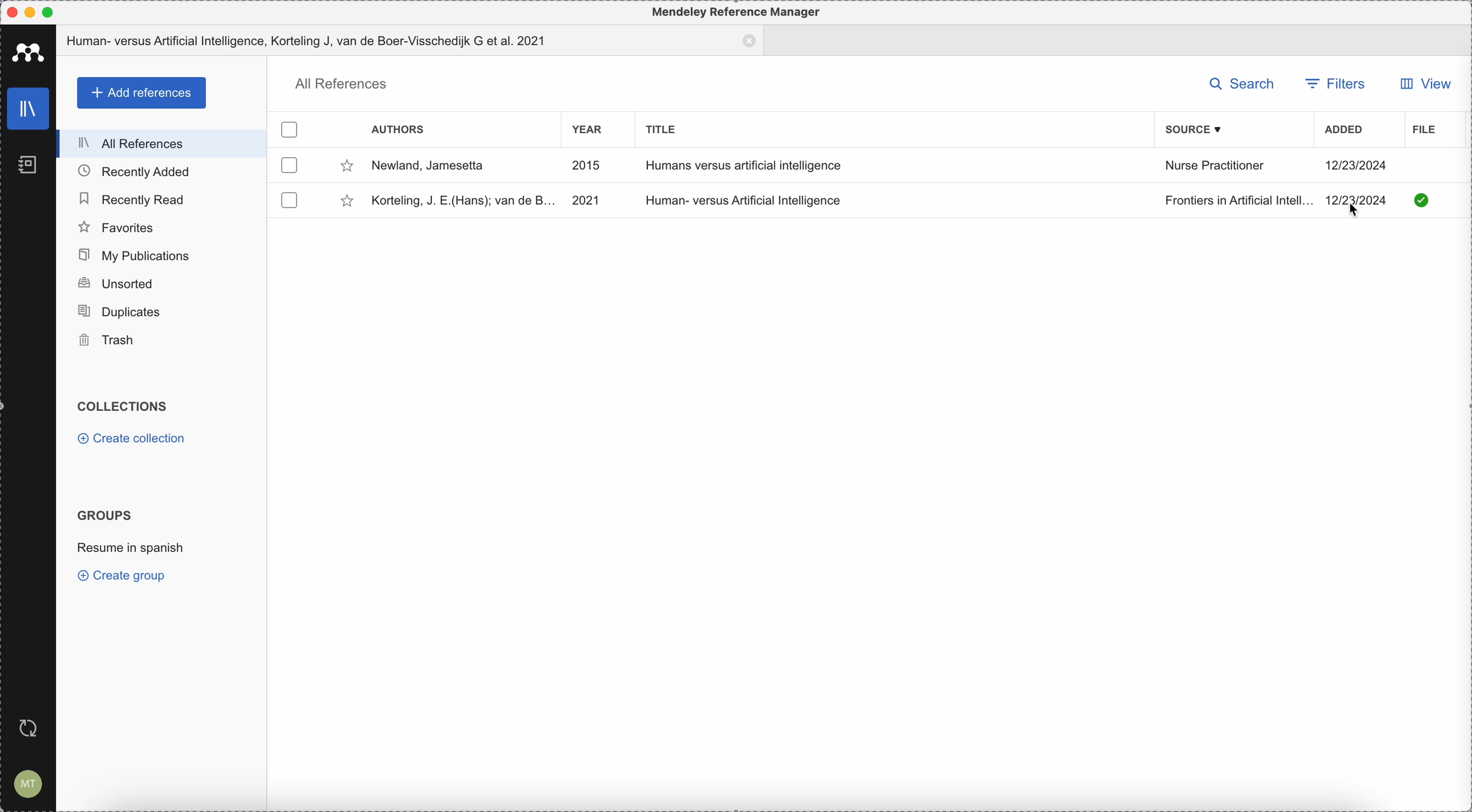 The height and width of the screenshot is (812, 1472). What do you see at coordinates (1425, 83) in the screenshot?
I see `view` at bounding box center [1425, 83].